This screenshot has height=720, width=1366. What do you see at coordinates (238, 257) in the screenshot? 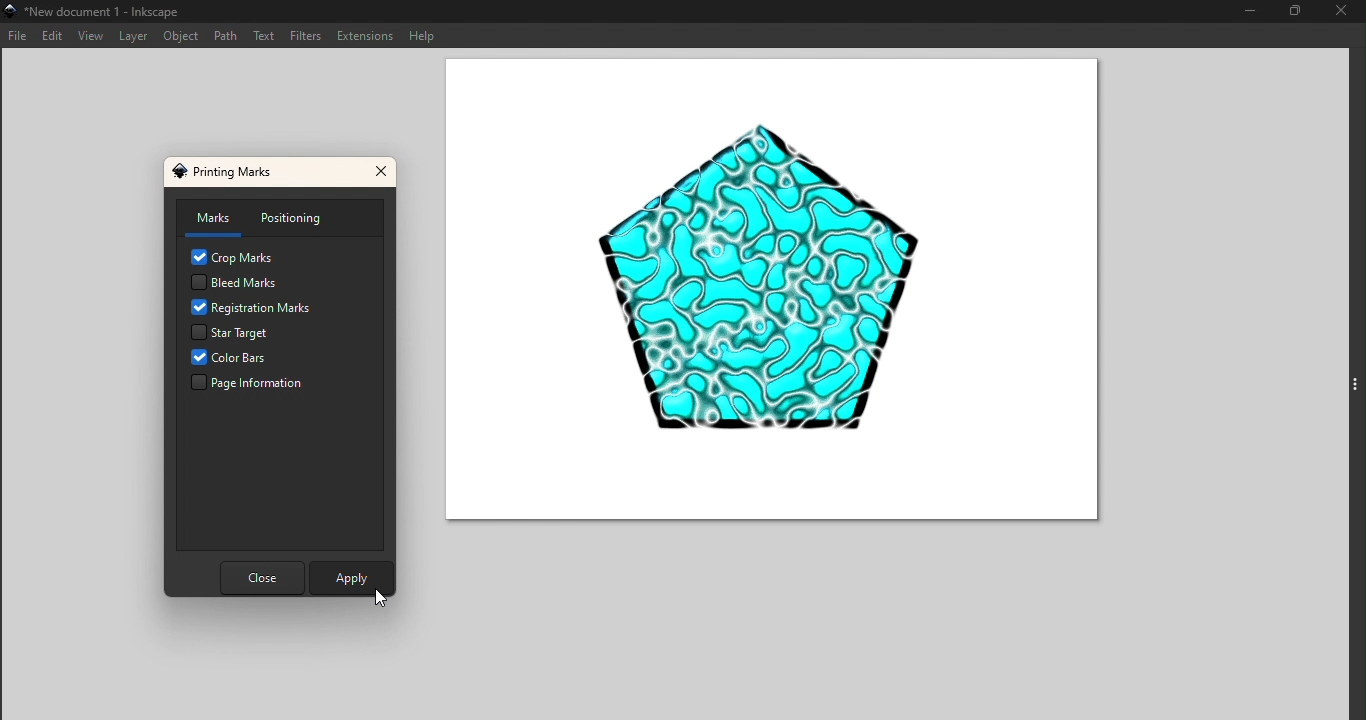
I see `Crop Marks` at bounding box center [238, 257].